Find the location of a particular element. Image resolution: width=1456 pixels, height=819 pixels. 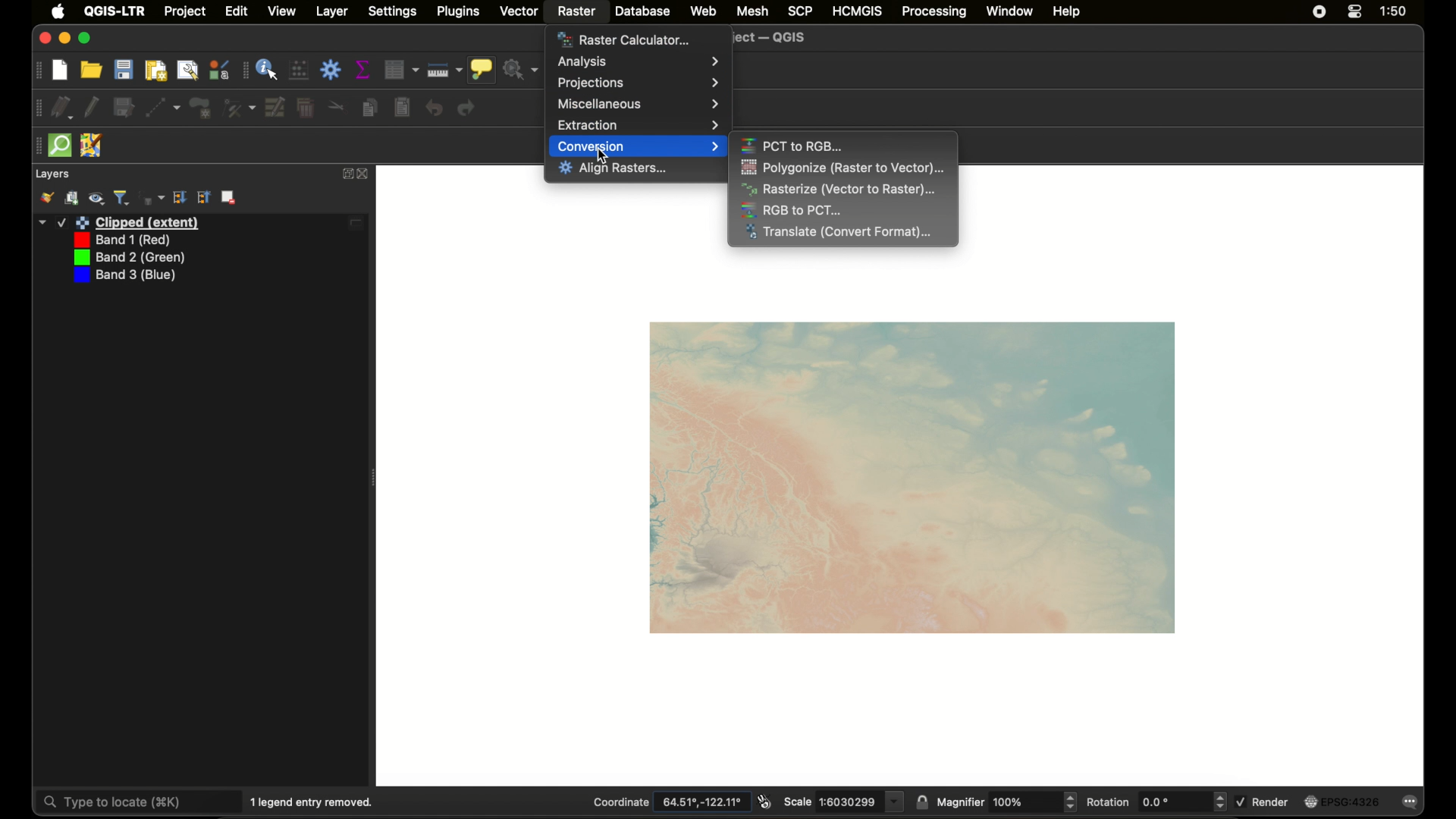

add group is located at coordinates (72, 198).